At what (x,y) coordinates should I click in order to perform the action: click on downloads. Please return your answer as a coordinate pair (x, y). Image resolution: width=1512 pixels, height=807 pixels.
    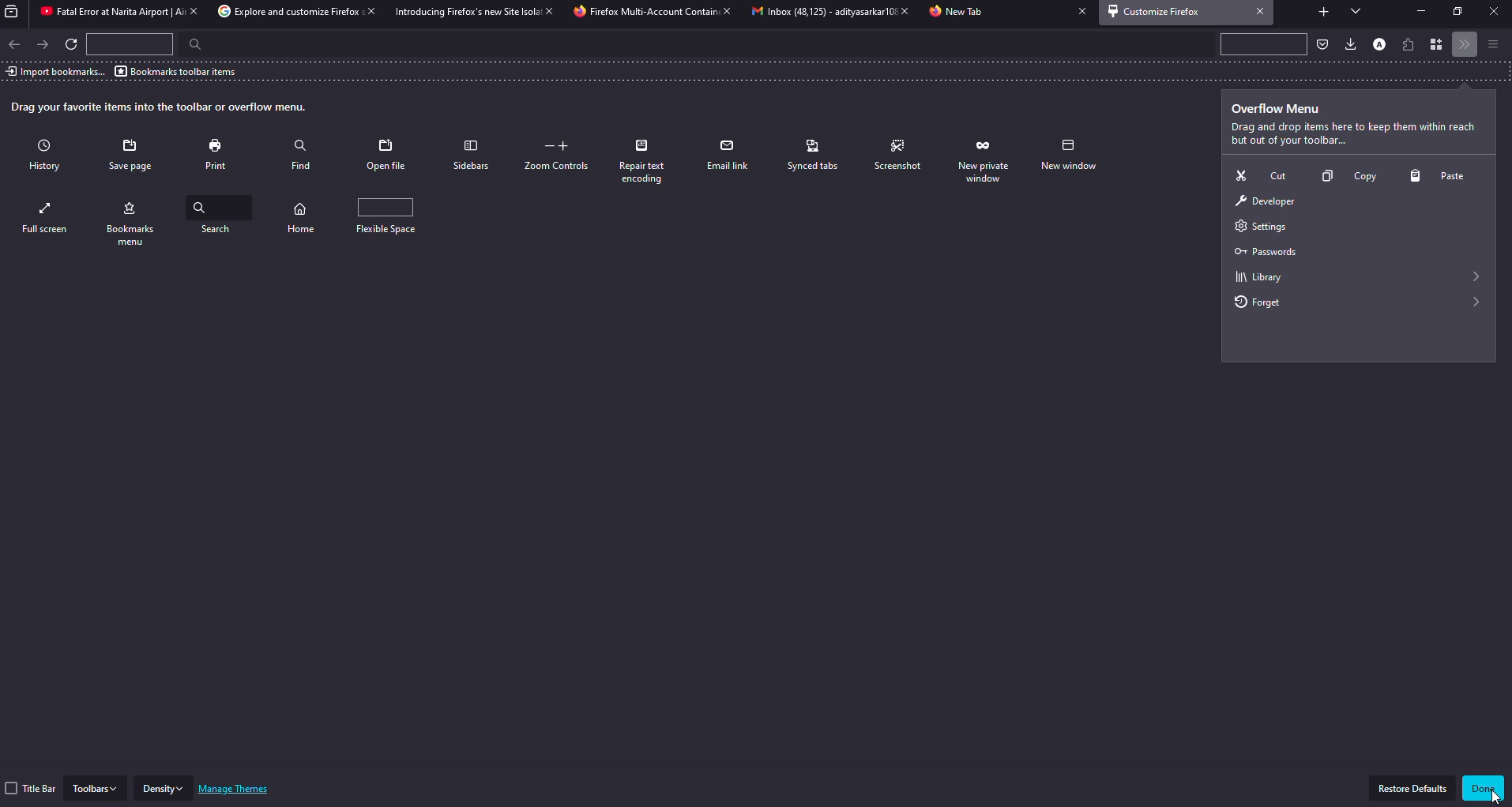
    Looking at the image, I should click on (1348, 43).